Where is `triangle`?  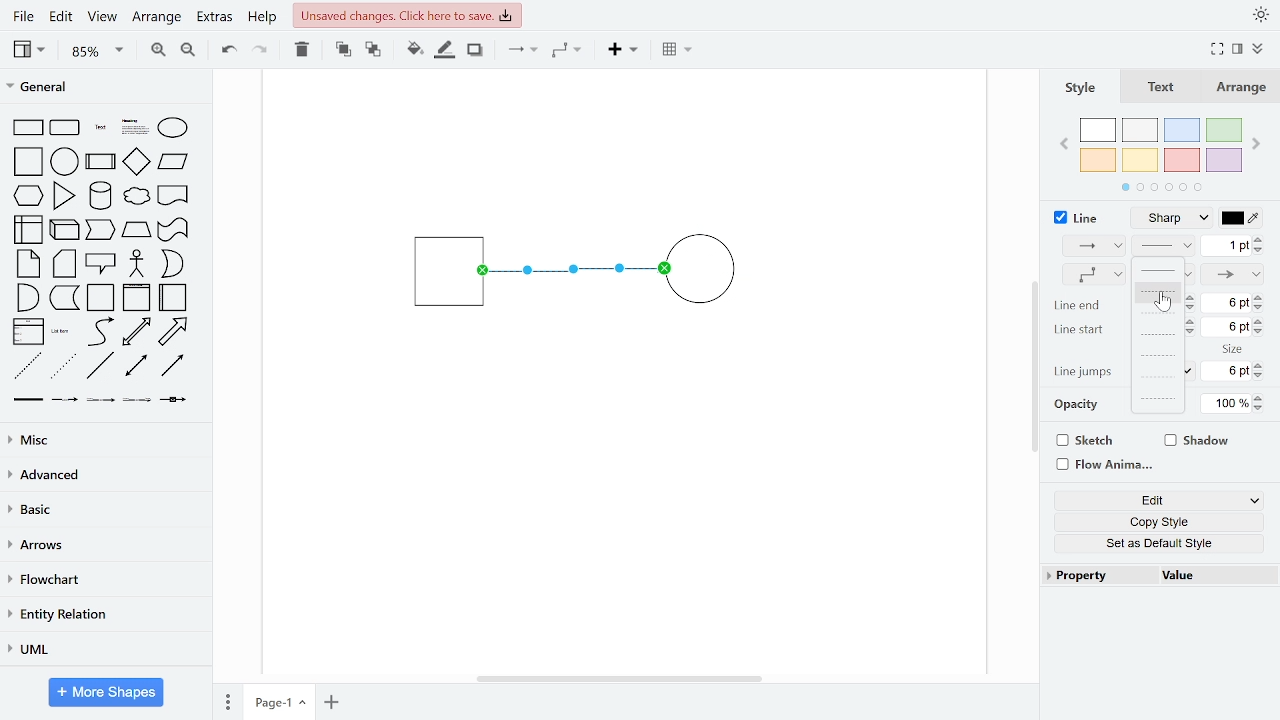
triangle is located at coordinates (65, 195).